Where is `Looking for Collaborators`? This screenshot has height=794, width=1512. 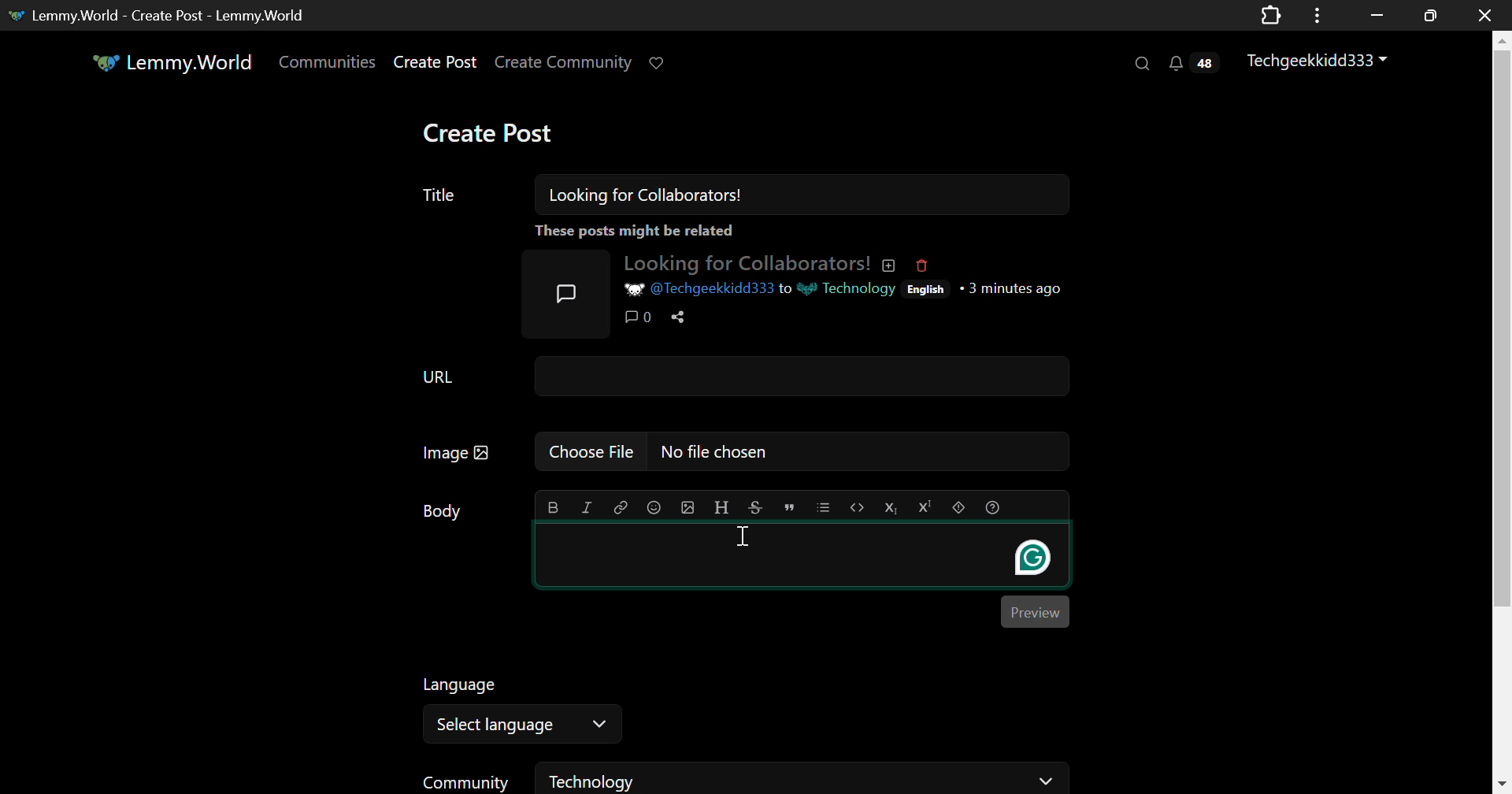 Looking for Collaborators is located at coordinates (758, 262).